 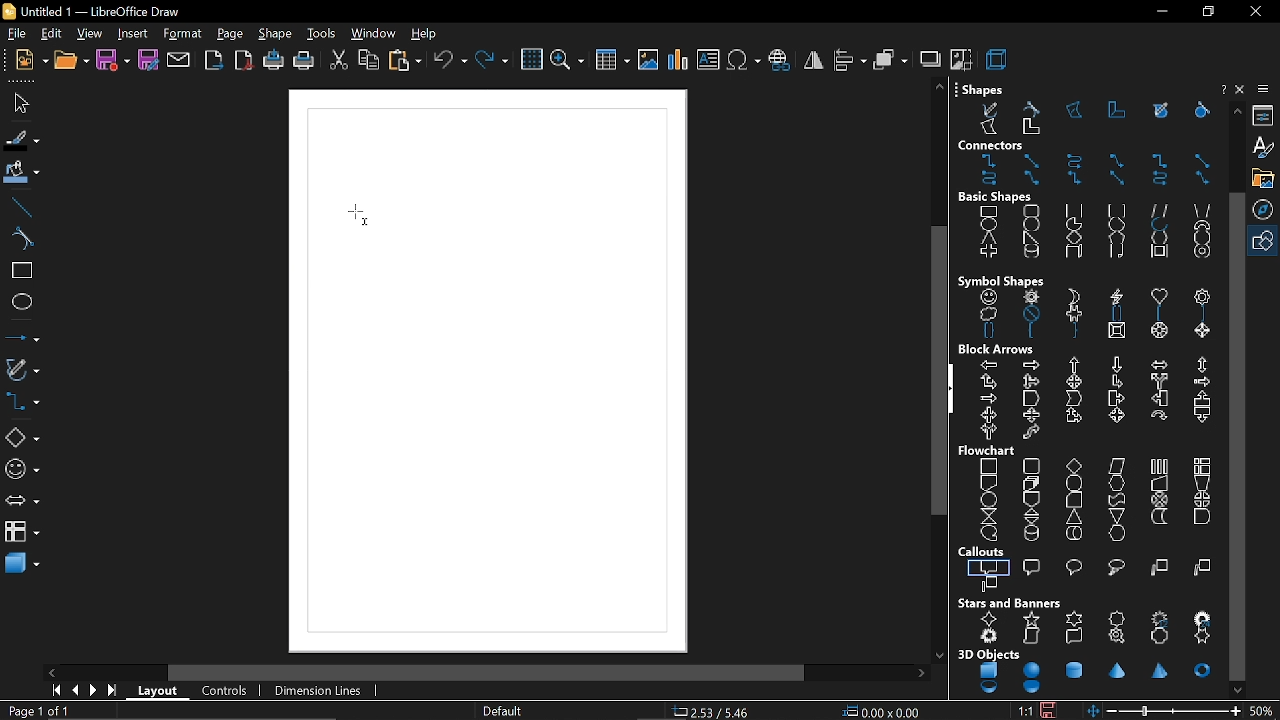 I want to click on fill color, so click(x=22, y=172).